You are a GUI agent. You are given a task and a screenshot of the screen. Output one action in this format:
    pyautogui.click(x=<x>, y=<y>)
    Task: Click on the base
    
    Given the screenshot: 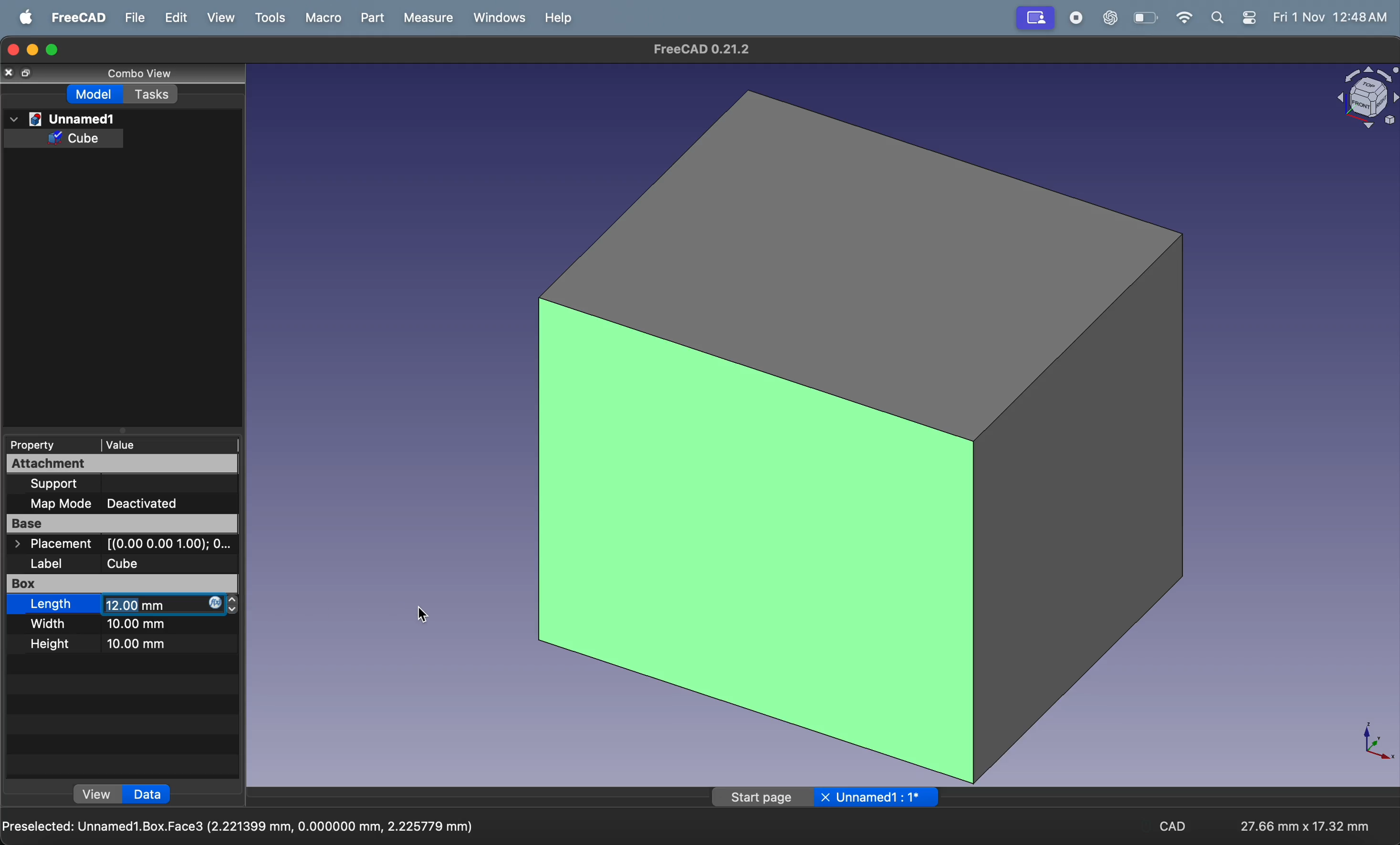 What is the action you would take?
    pyautogui.click(x=118, y=522)
    